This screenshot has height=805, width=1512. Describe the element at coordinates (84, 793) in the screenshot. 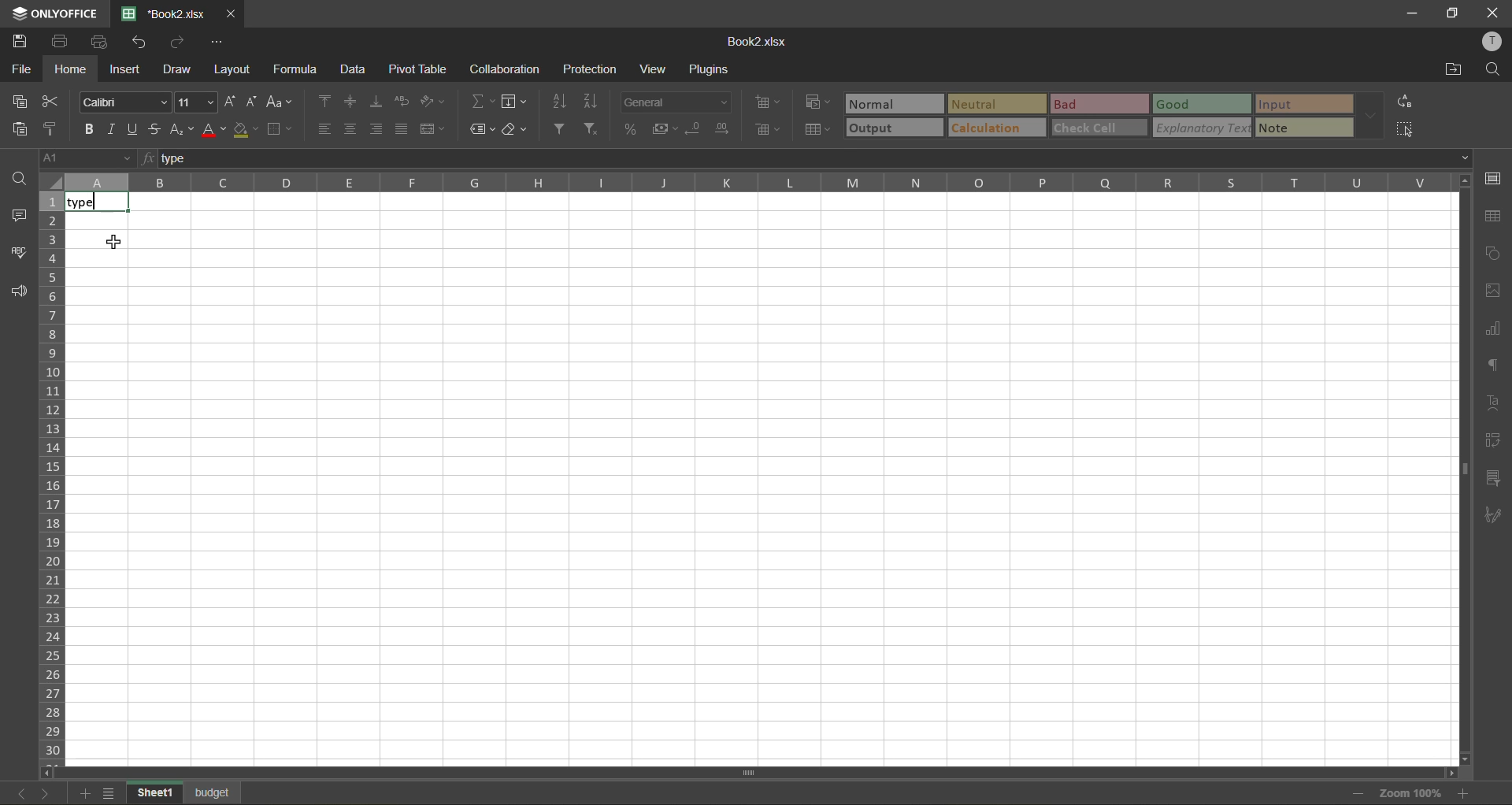

I see `add sheet` at that location.